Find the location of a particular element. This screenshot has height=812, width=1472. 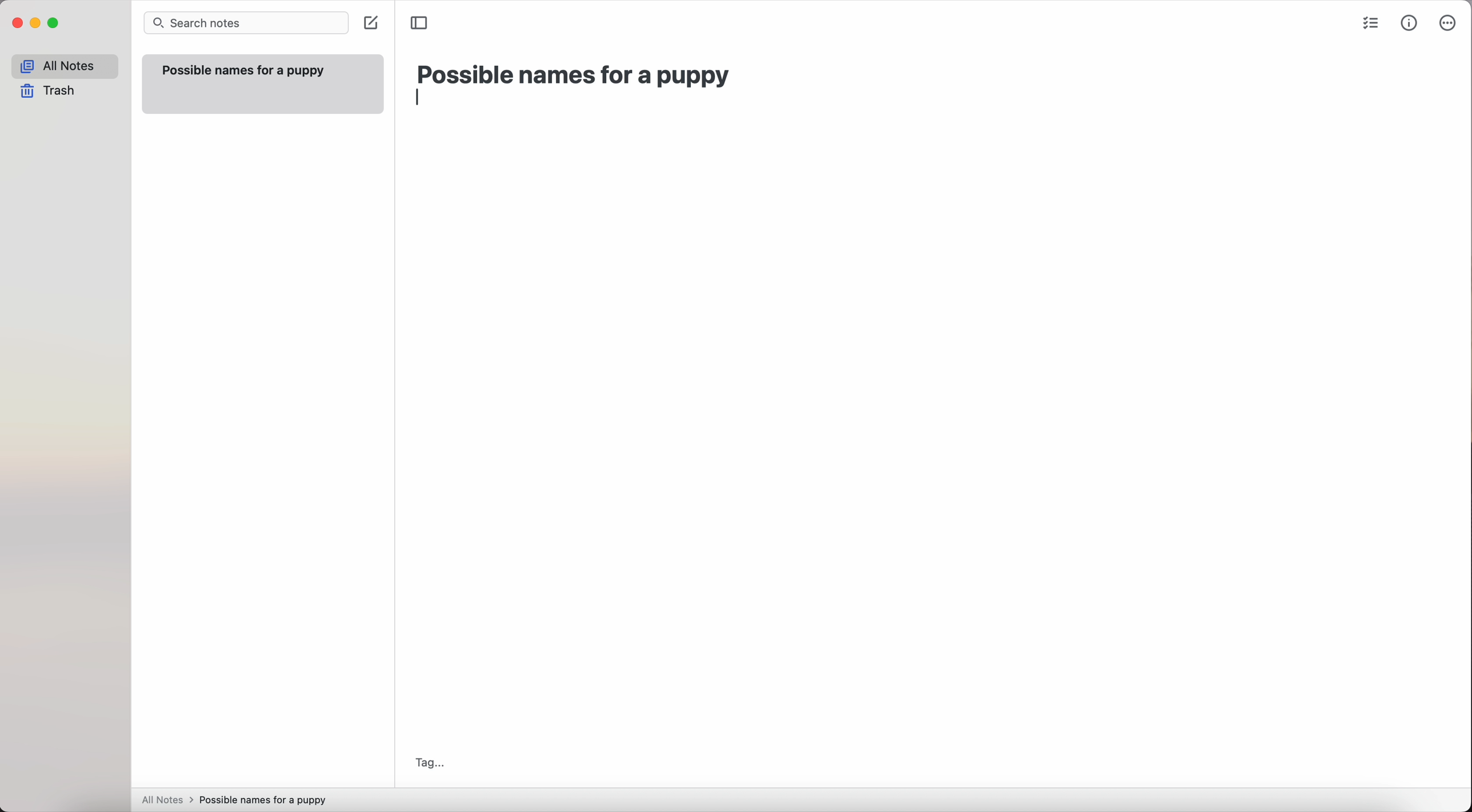

search bar is located at coordinates (246, 24).